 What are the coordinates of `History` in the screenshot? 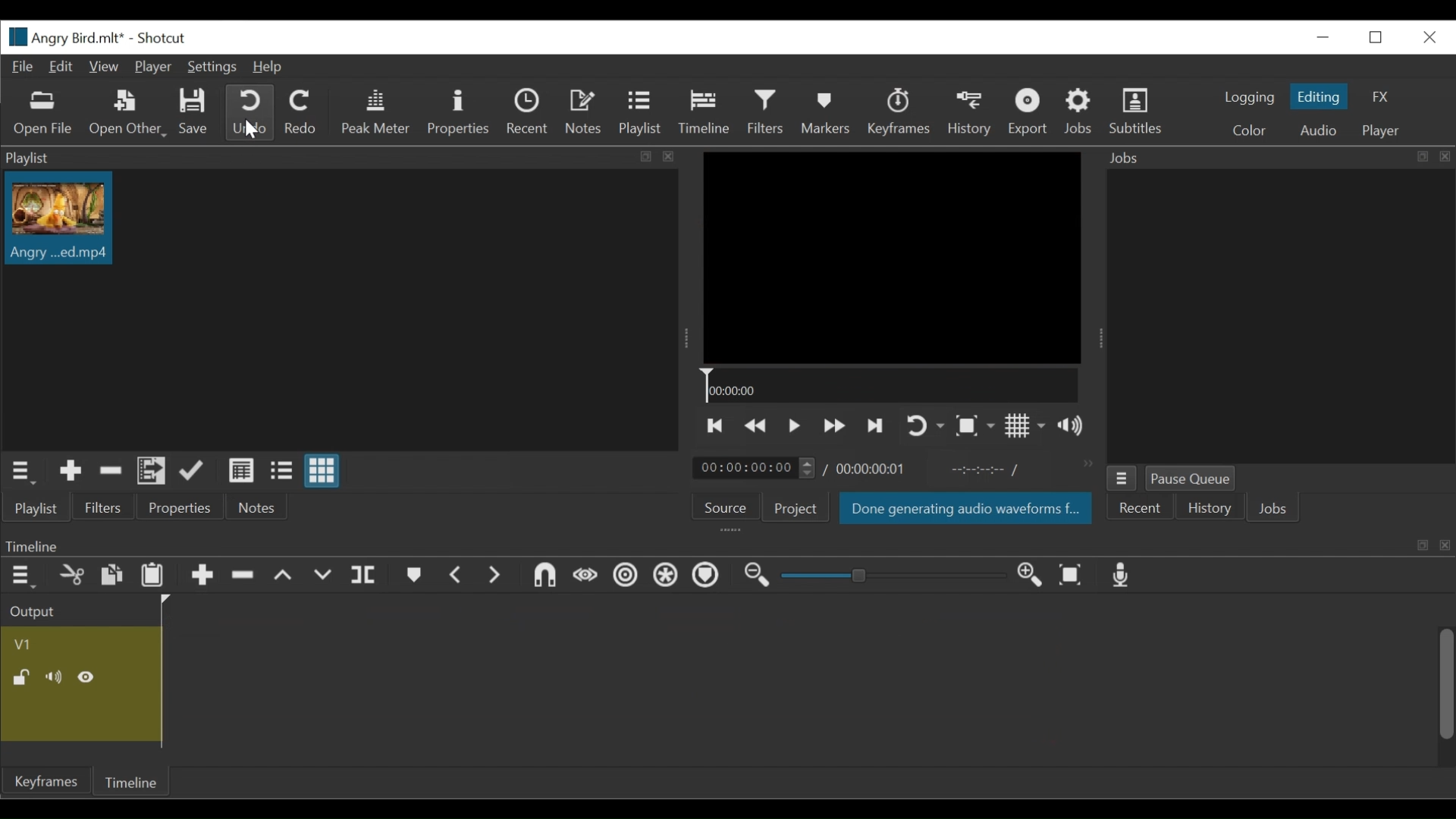 It's located at (1207, 508).